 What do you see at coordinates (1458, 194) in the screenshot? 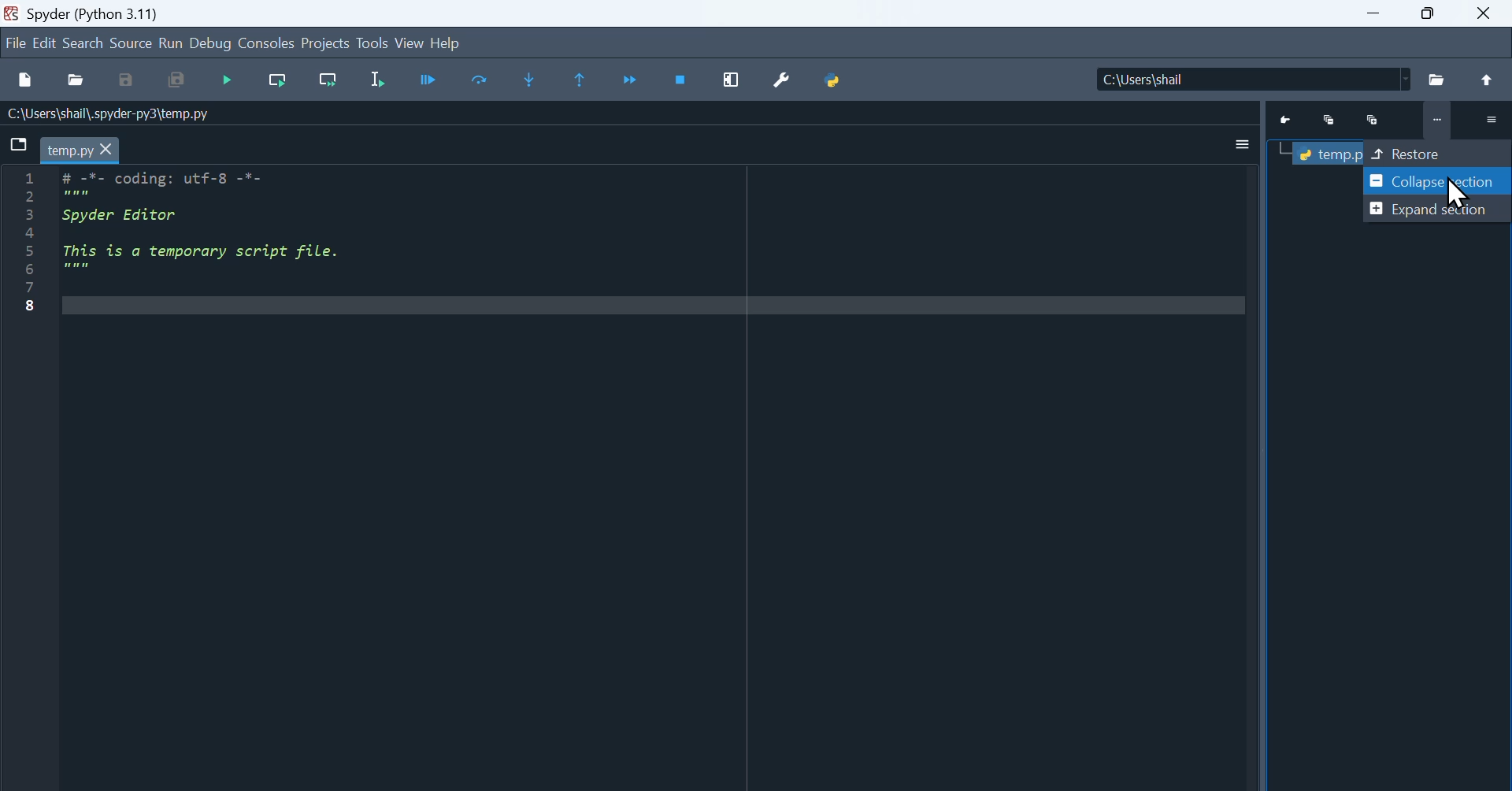
I see `Cursor` at bounding box center [1458, 194].